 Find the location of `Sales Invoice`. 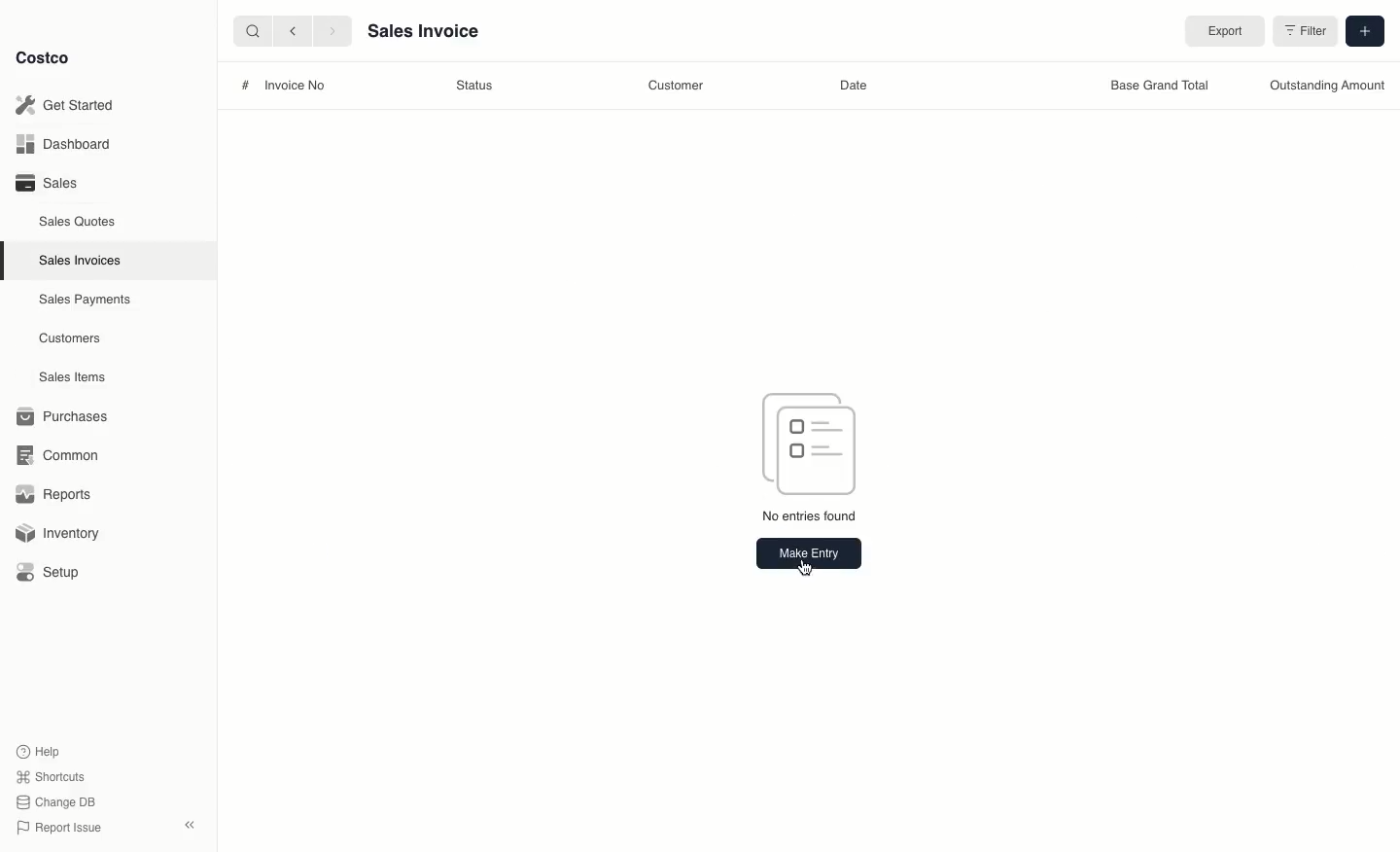

Sales Invoice is located at coordinates (423, 34).